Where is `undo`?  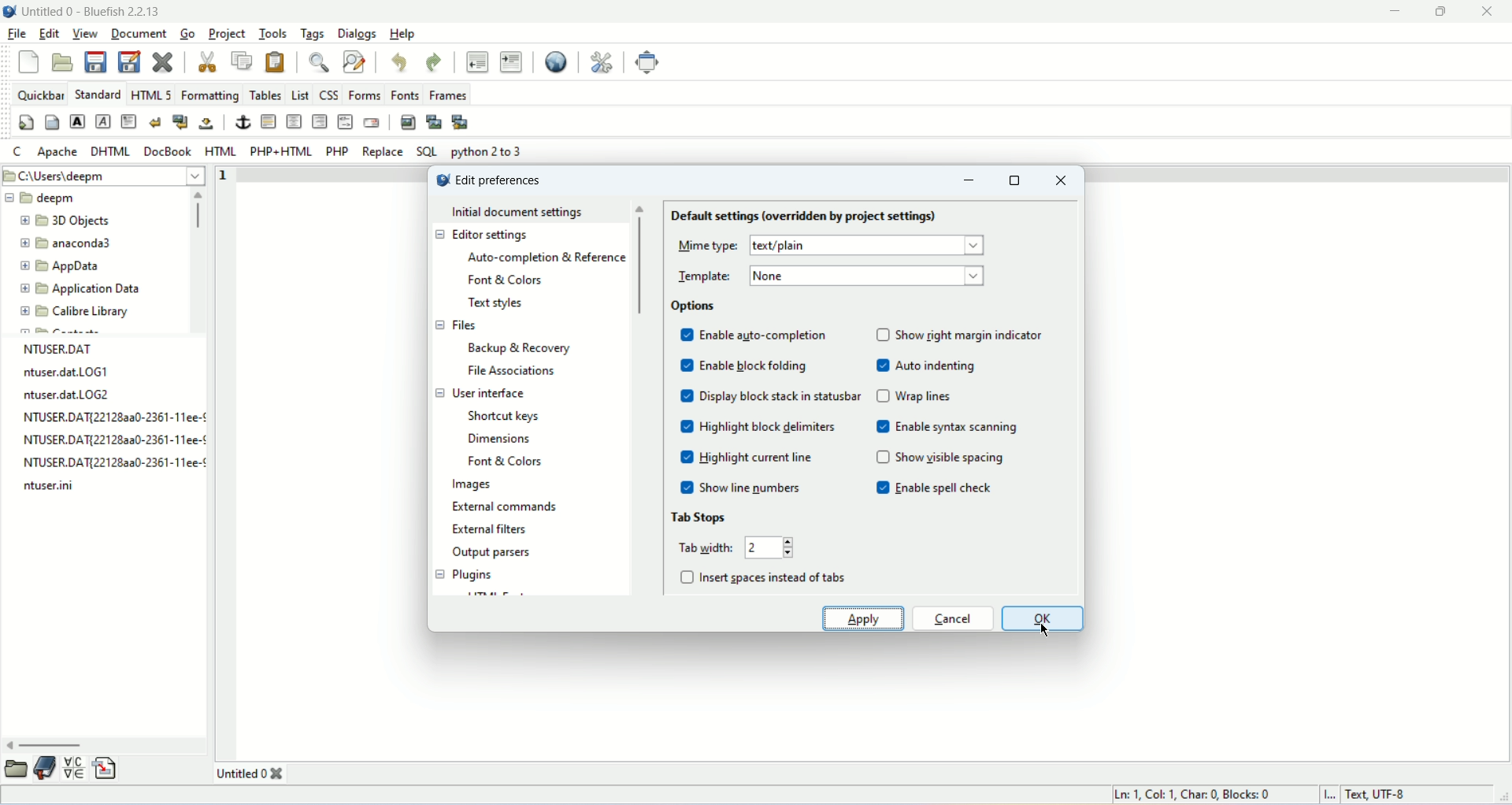 undo is located at coordinates (399, 60).